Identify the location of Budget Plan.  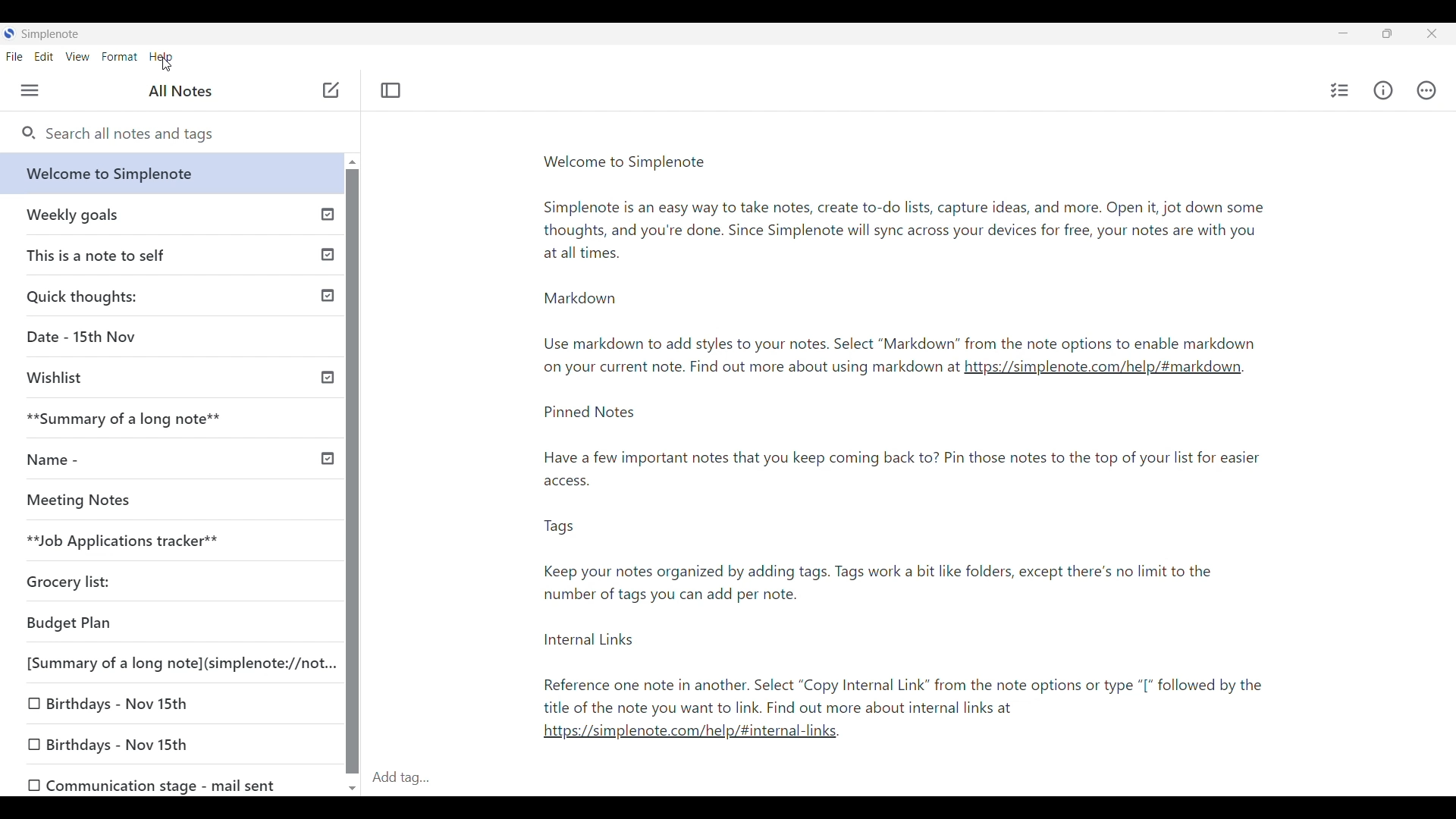
(86, 623).